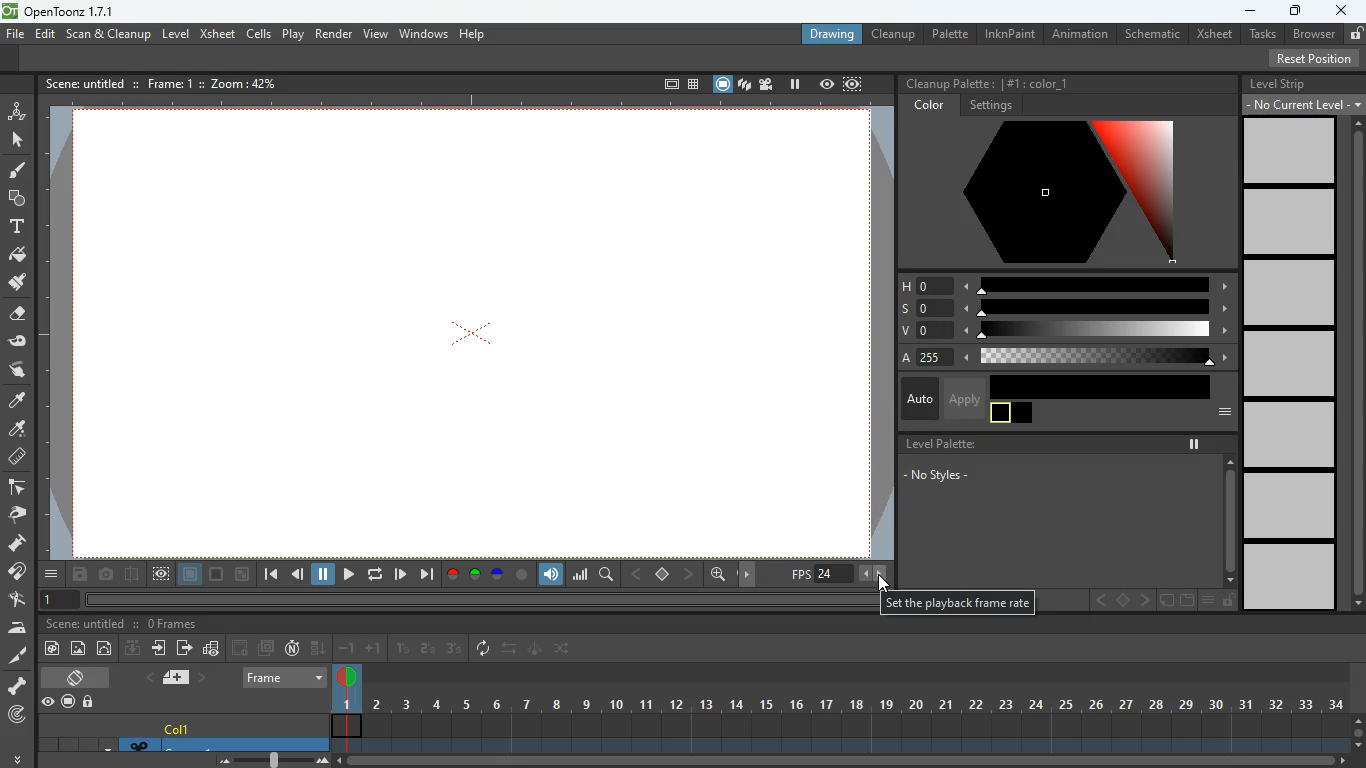 This screenshot has height=768, width=1366. I want to click on -1, so click(346, 650).